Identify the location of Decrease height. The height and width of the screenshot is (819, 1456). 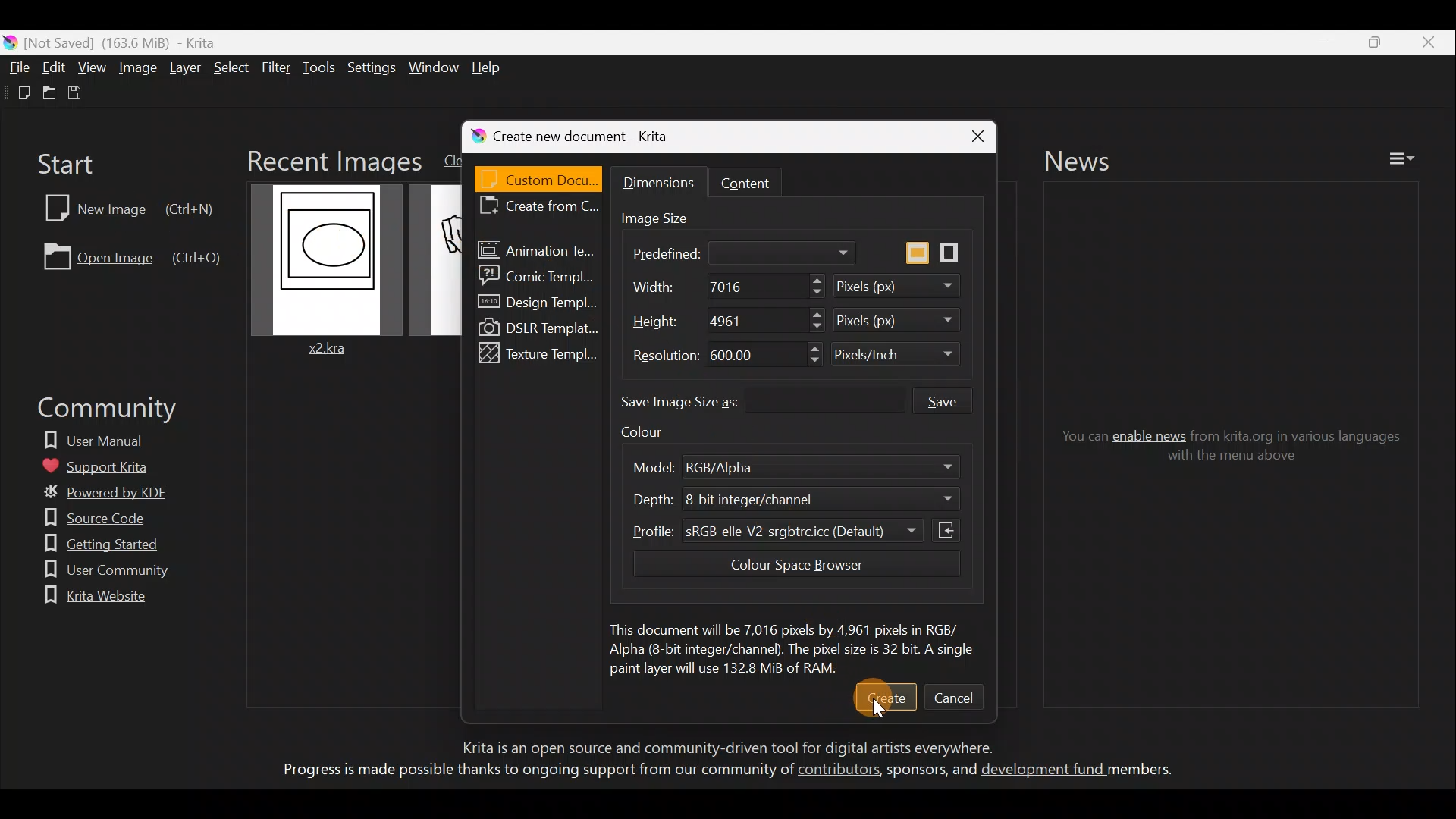
(808, 329).